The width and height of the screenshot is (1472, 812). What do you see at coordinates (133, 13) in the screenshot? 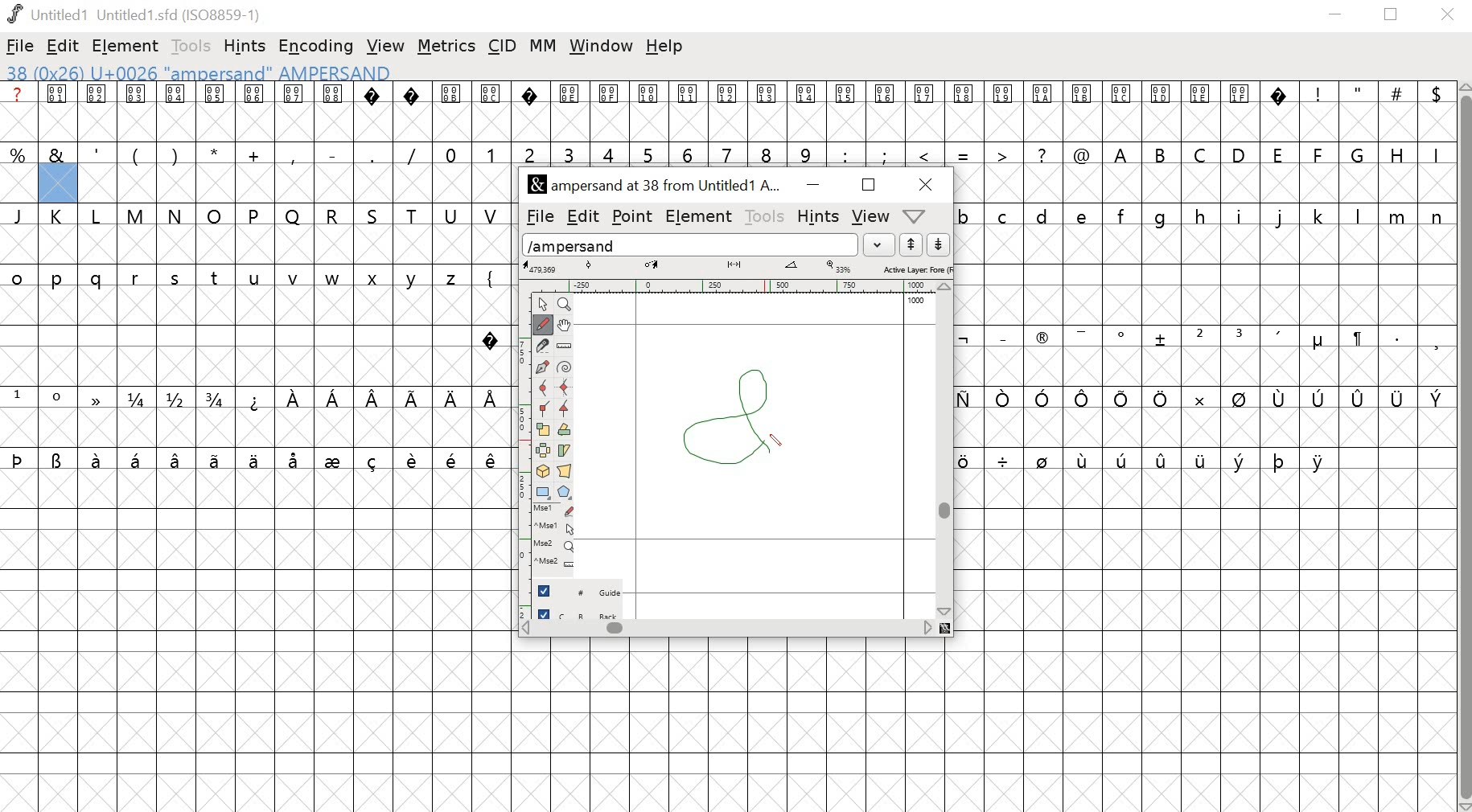
I see `Untitled 1 Untitled1.shd (ISO8859-1)` at bounding box center [133, 13].